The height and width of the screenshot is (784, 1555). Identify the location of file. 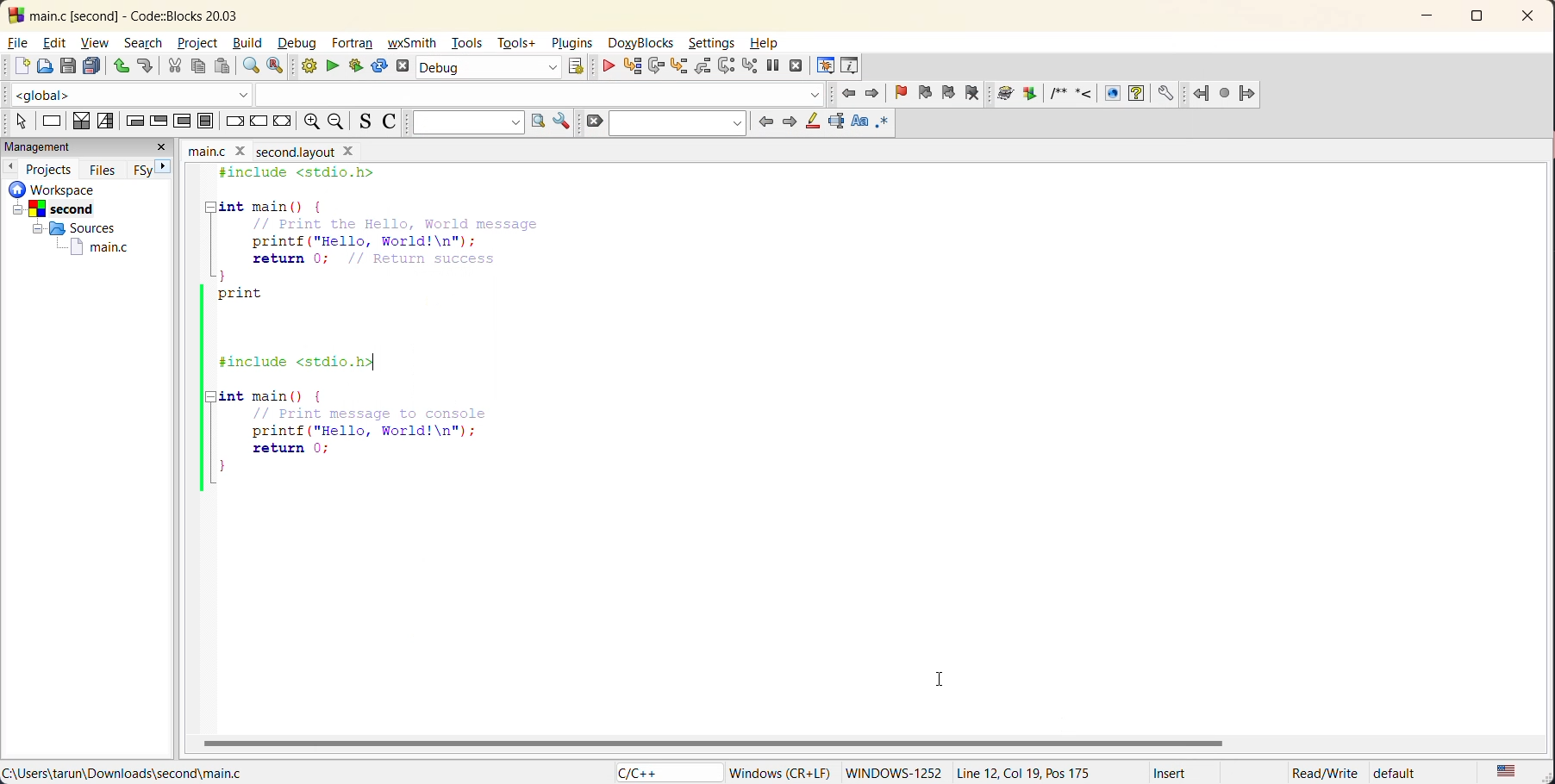
(20, 44).